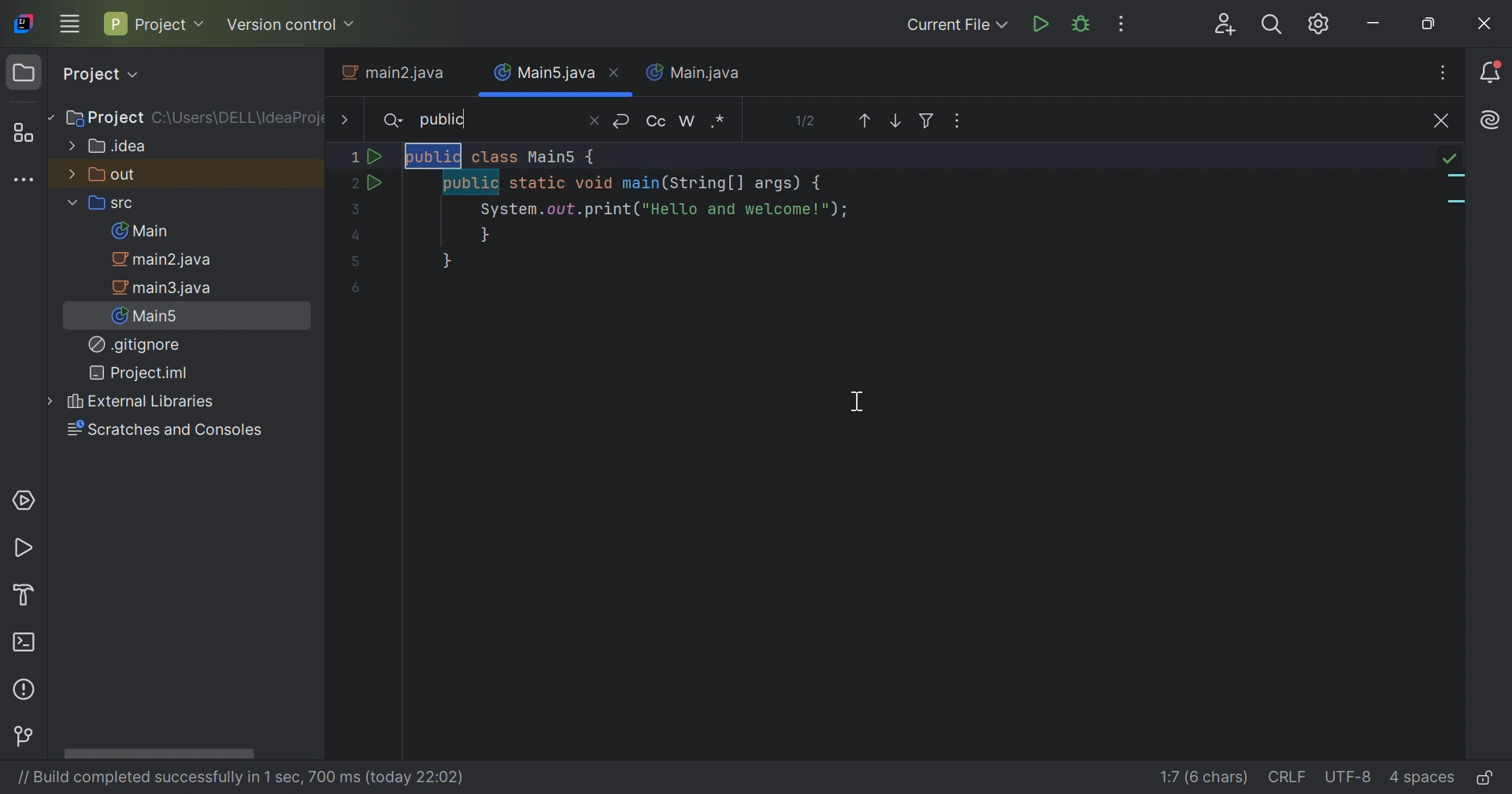 The height and width of the screenshot is (794, 1512). What do you see at coordinates (1451, 159) in the screenshot?
I see `no problems found` at bounding box center [1451, 159].